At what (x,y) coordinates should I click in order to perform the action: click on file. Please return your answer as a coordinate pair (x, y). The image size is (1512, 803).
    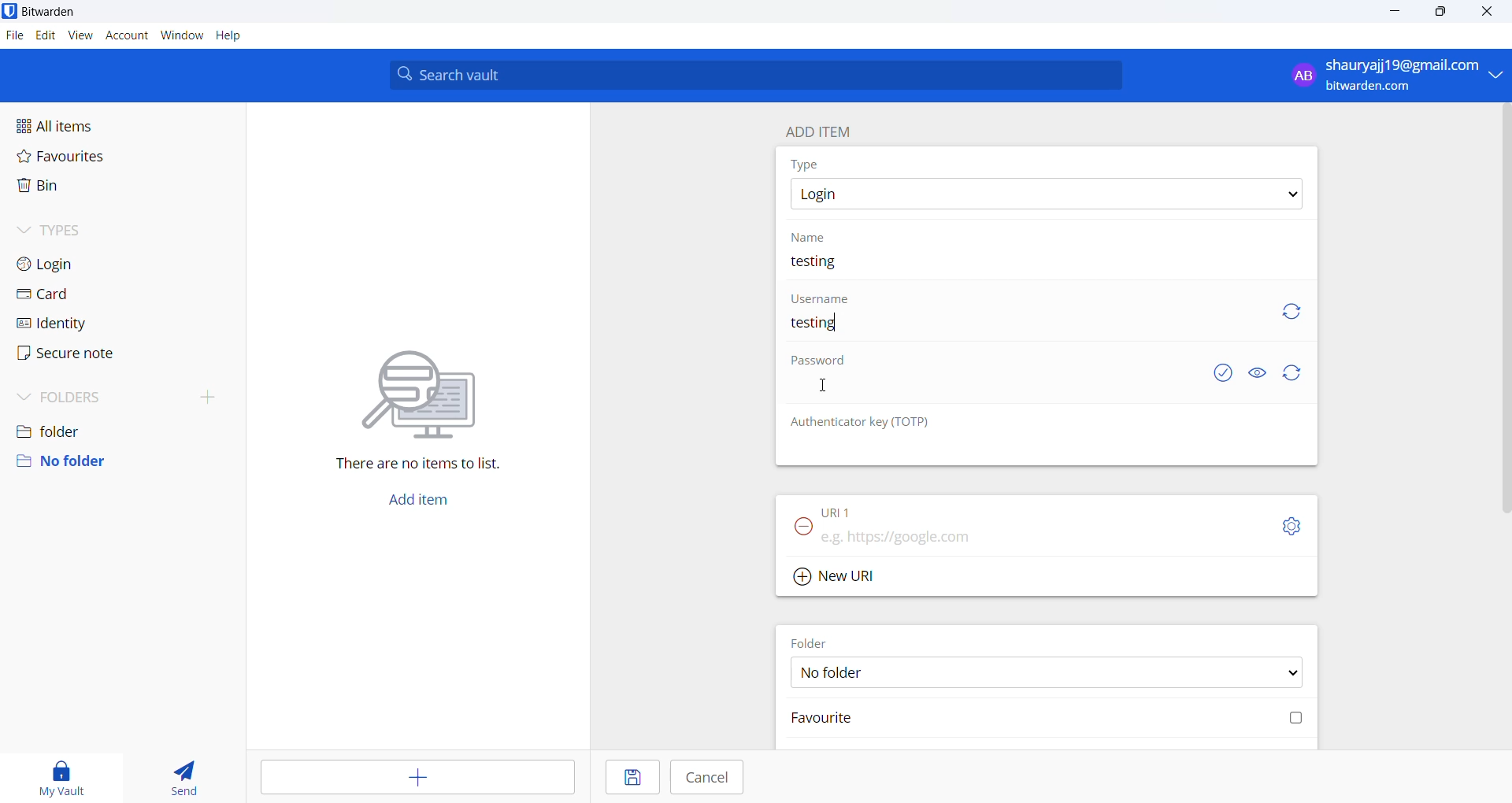
    Looking at the image, I should click on (13, 37).